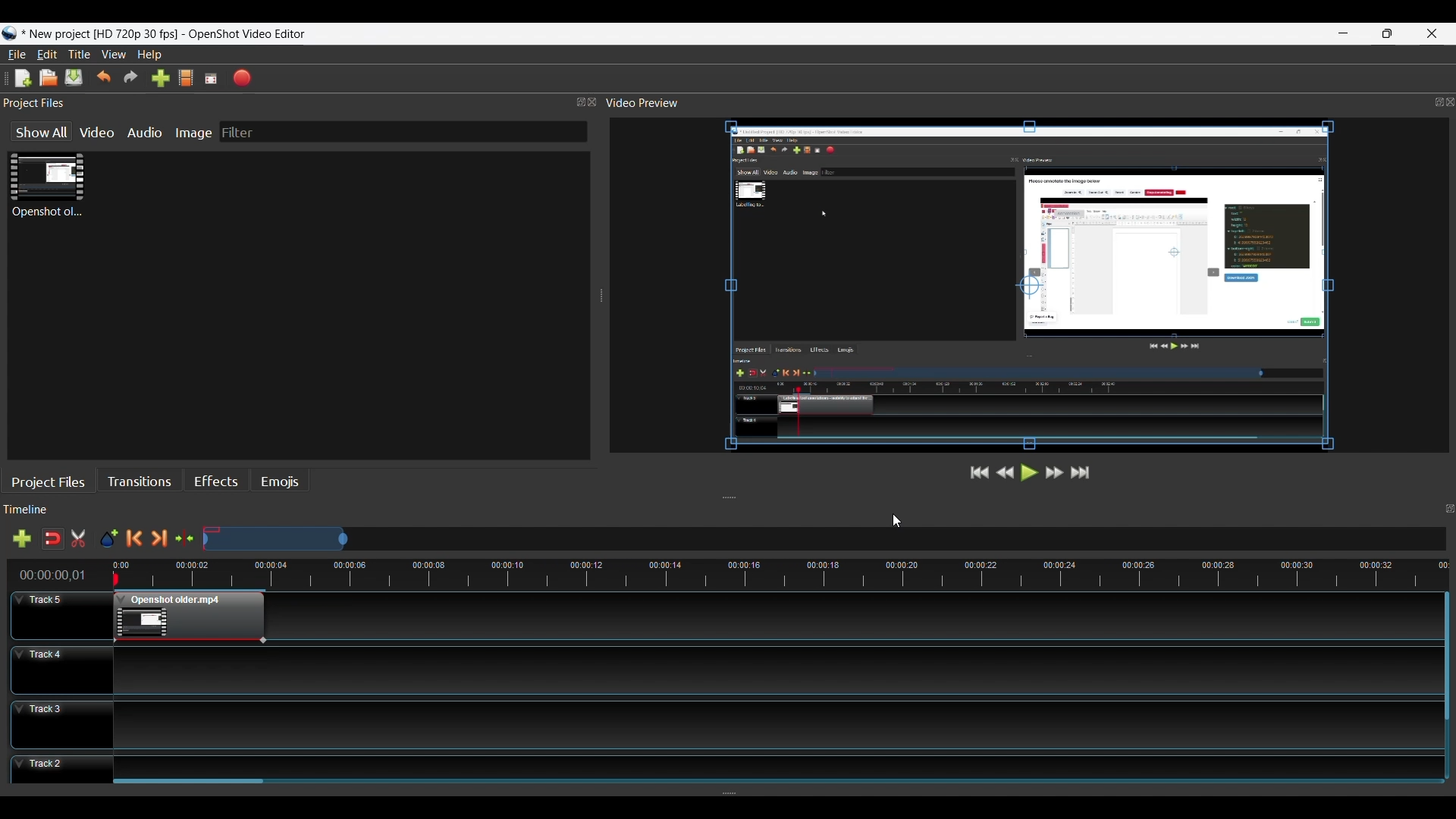  I want to click on Add Marker, so click(108, 540).